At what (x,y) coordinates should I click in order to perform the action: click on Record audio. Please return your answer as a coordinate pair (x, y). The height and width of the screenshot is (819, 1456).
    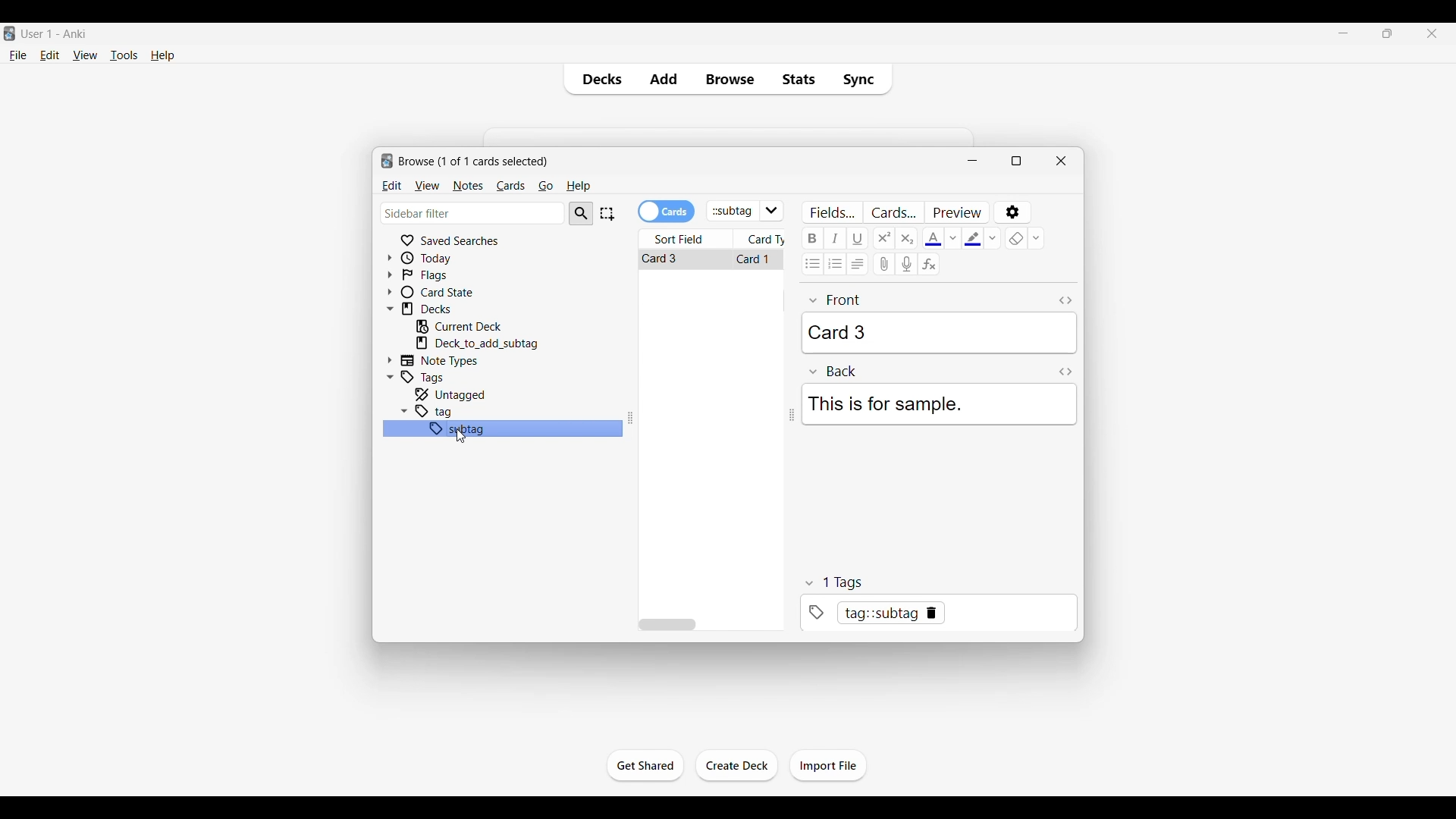
    Looking at the image, I should click on (906, 264).